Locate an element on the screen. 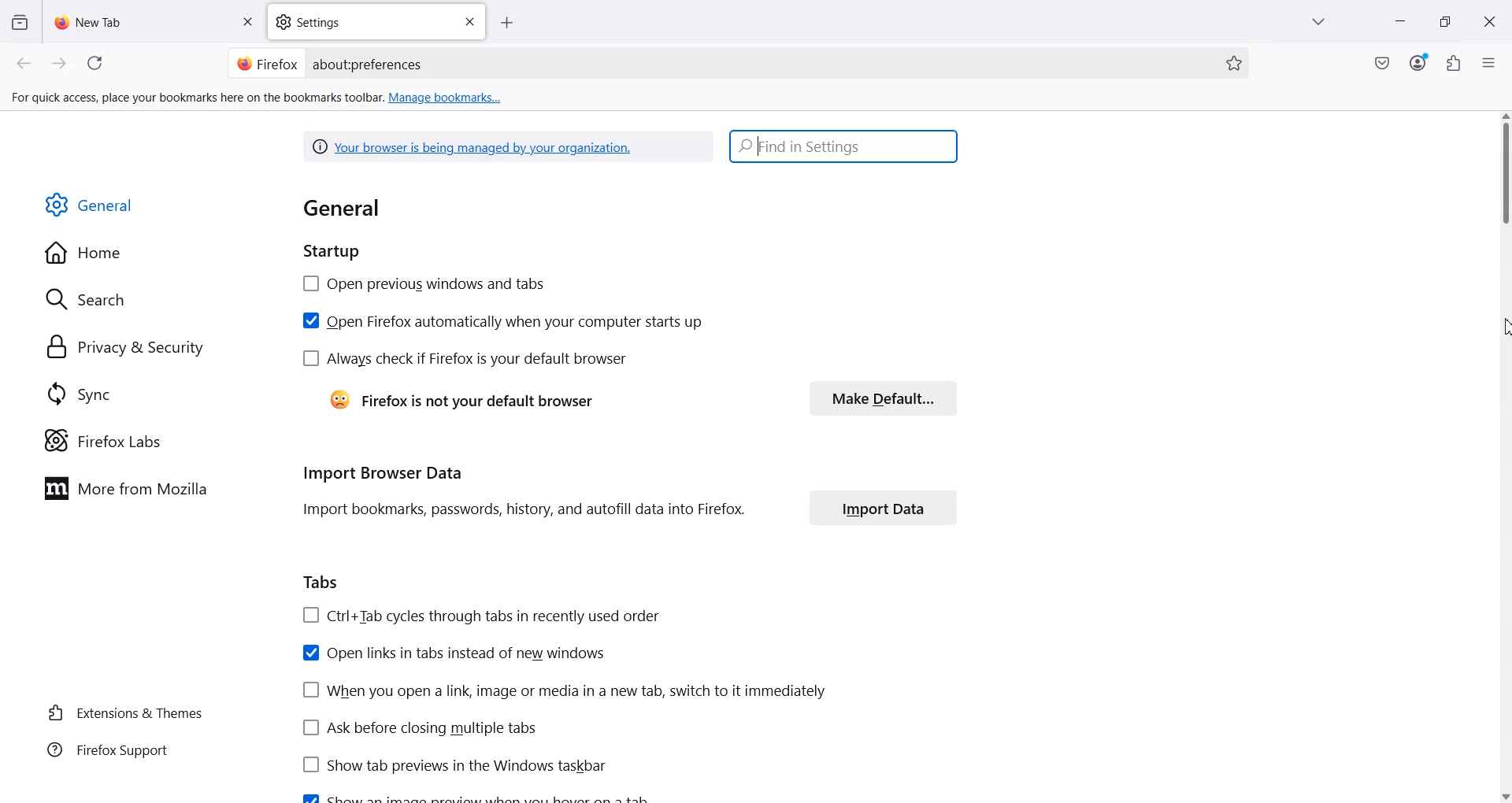 Image resolution: width=1512 pixels, height=803 pixels. Show an Image previous when you hover on 2 Tab is located at coordinates (474, 795).